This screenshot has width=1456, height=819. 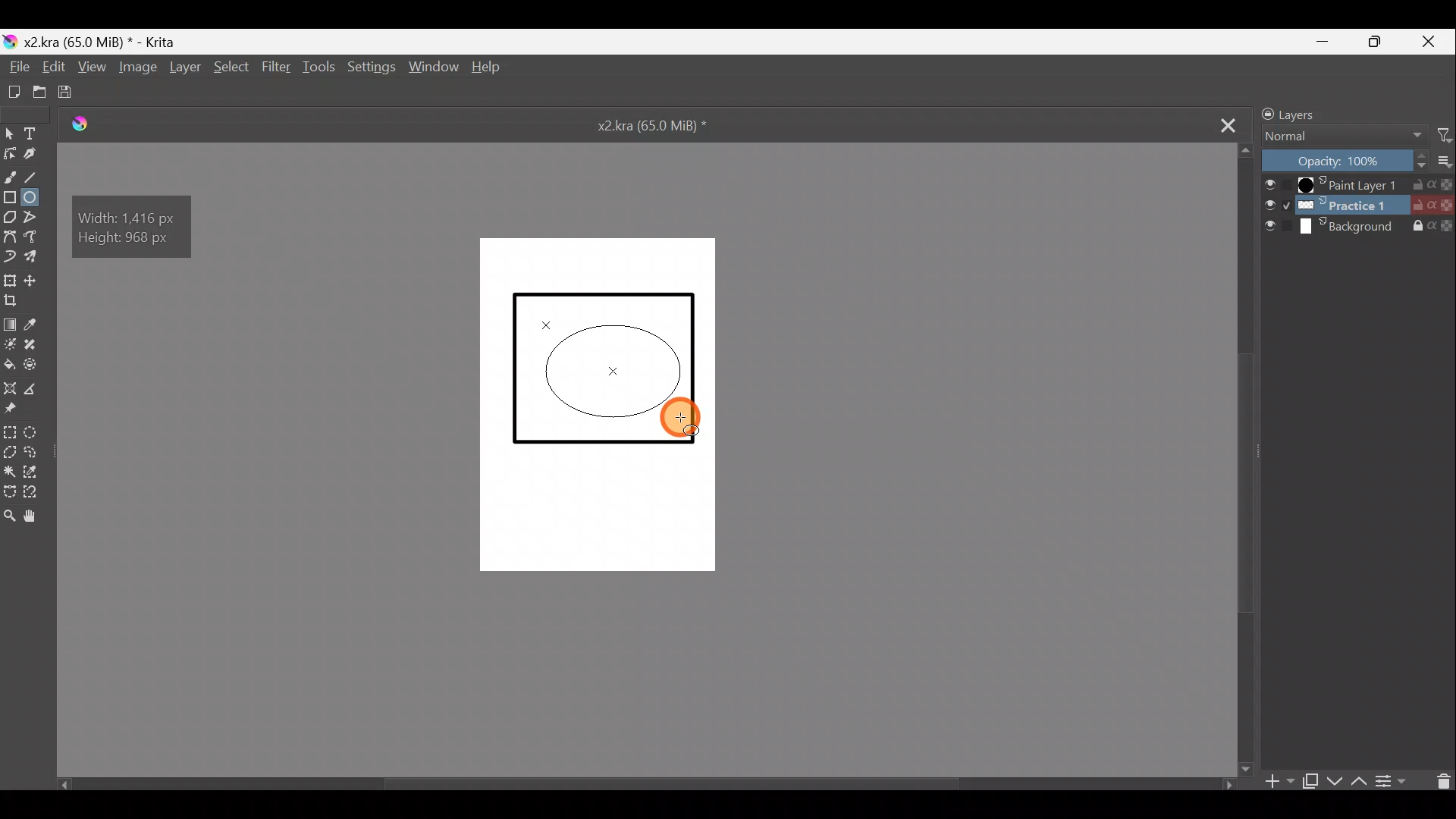 I want to click on Ellipse tool, so click(x=36, y=199).